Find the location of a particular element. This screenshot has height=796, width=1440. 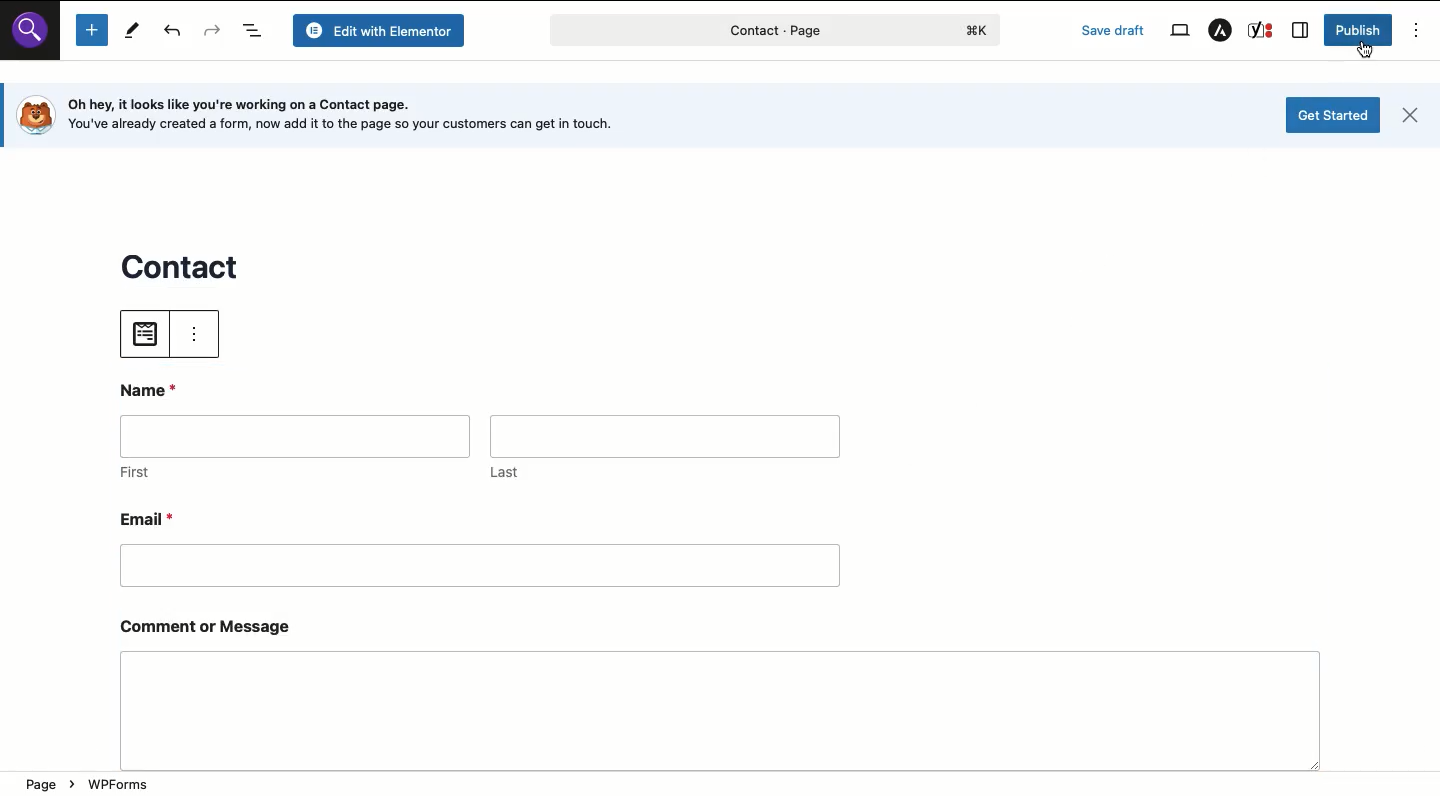

contact is located at coordinates (183, 263).